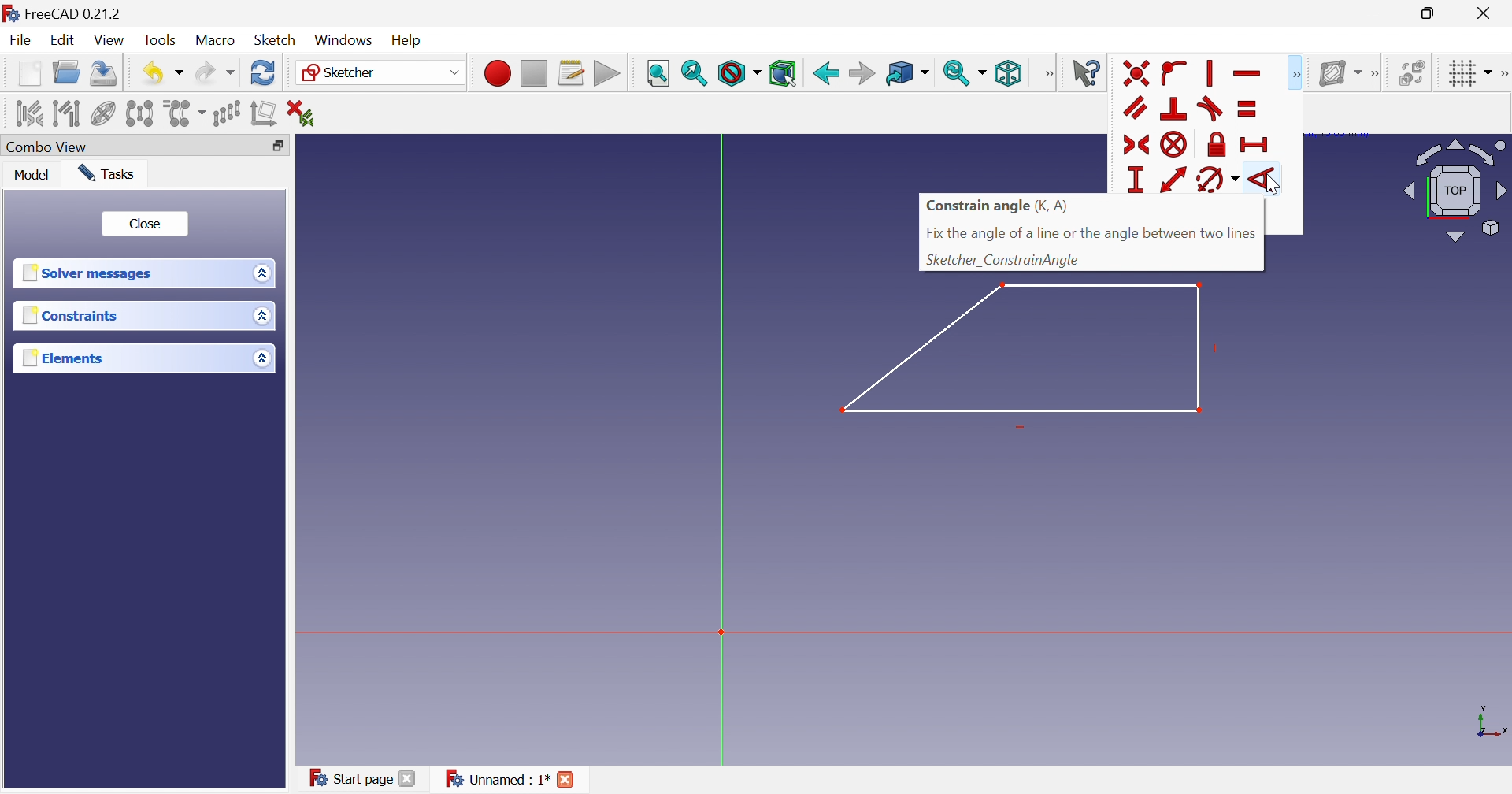  Describe the element at coordinates (1005, 260) in the screenshot. I see `Sketcher_ConstraintAngle` at that location.